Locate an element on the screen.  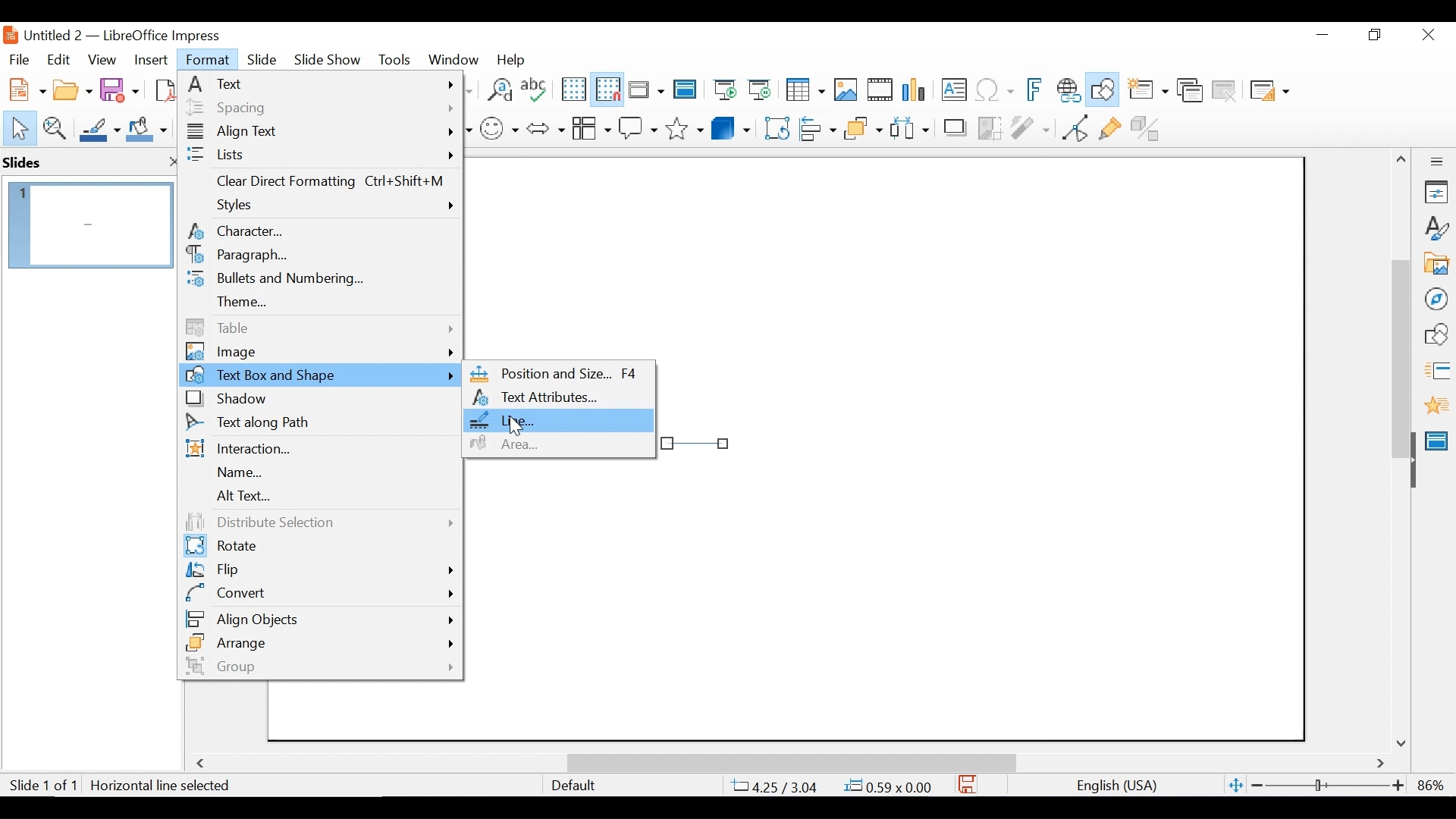
Save is located at coordinates (968, 784).